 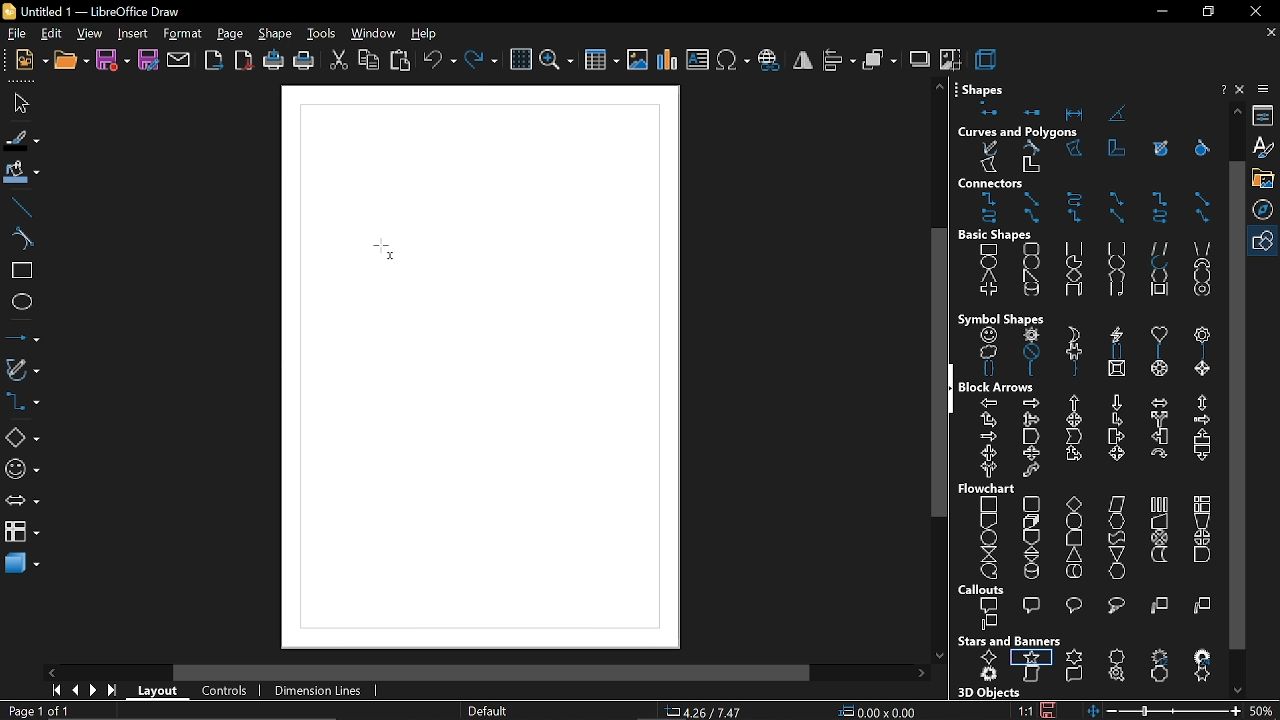 What do you see at coordinates (602, 58) in the screenshot?
I see `insert table` at bounding box center [602, 58].